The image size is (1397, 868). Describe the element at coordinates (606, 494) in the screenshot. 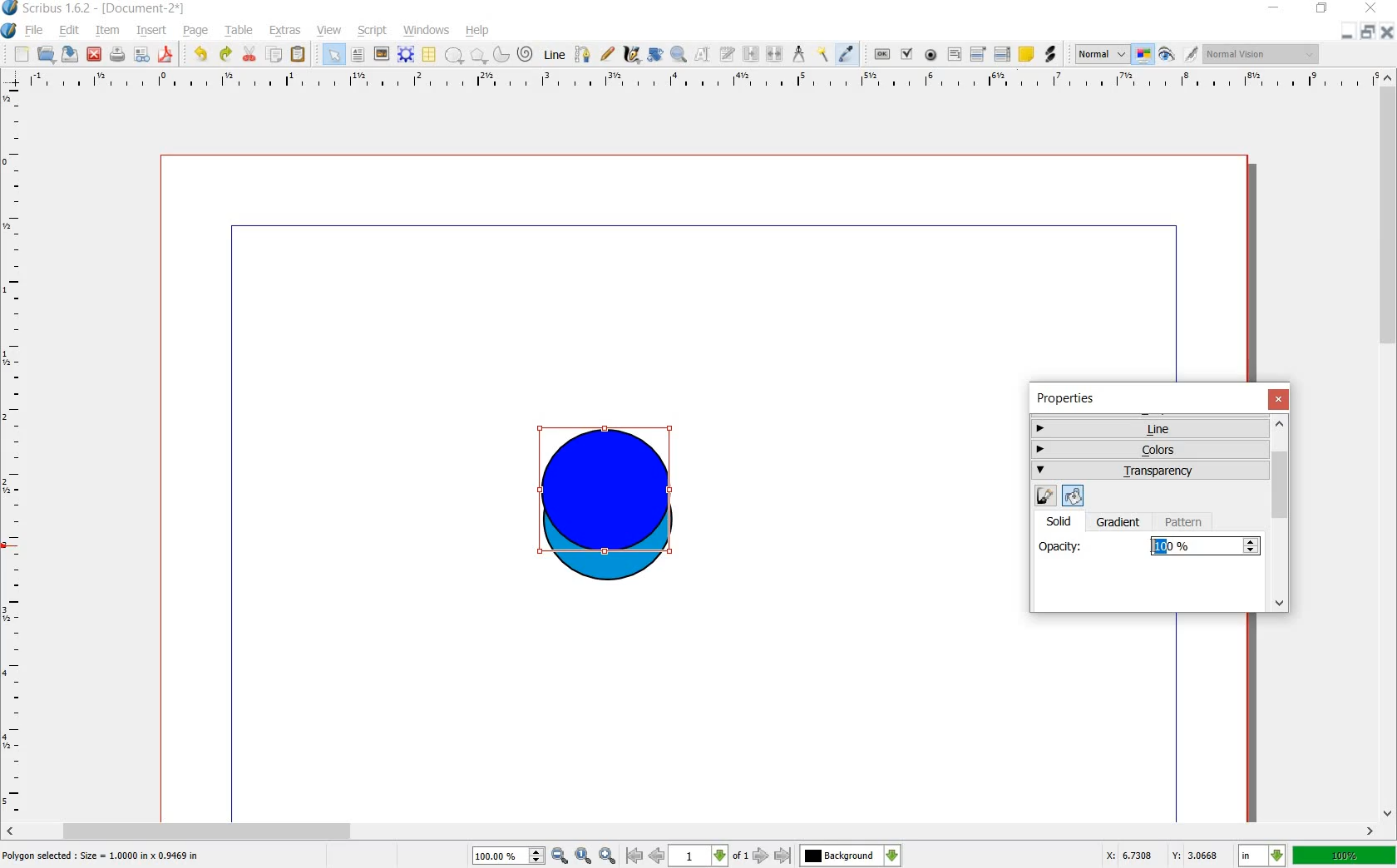

I see `shape selected` at that location.